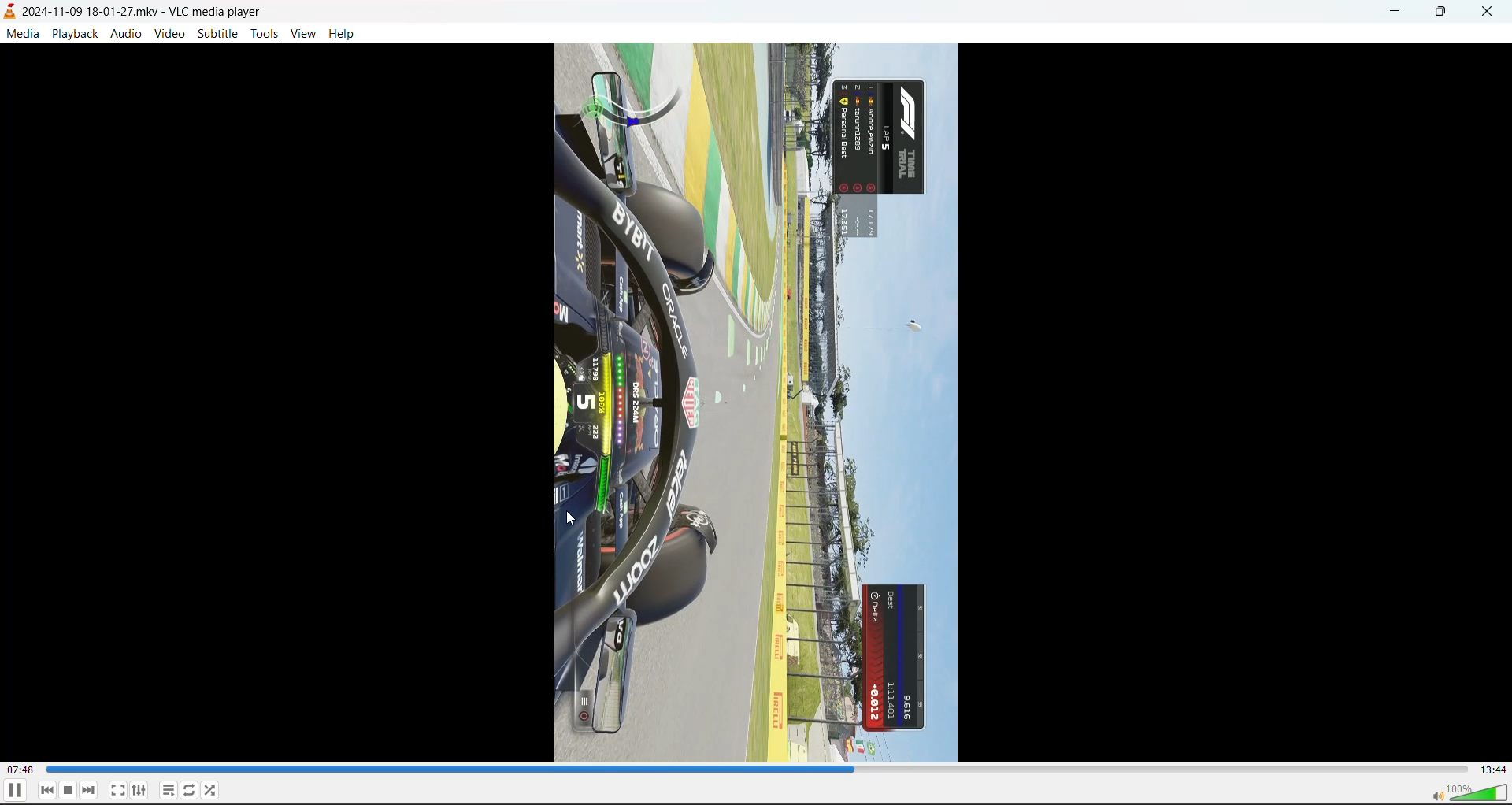 This screenshot has height=805, width=1512. Describe the element at coordinates (189, 788) in the screenshot. I see `loop` at that location.